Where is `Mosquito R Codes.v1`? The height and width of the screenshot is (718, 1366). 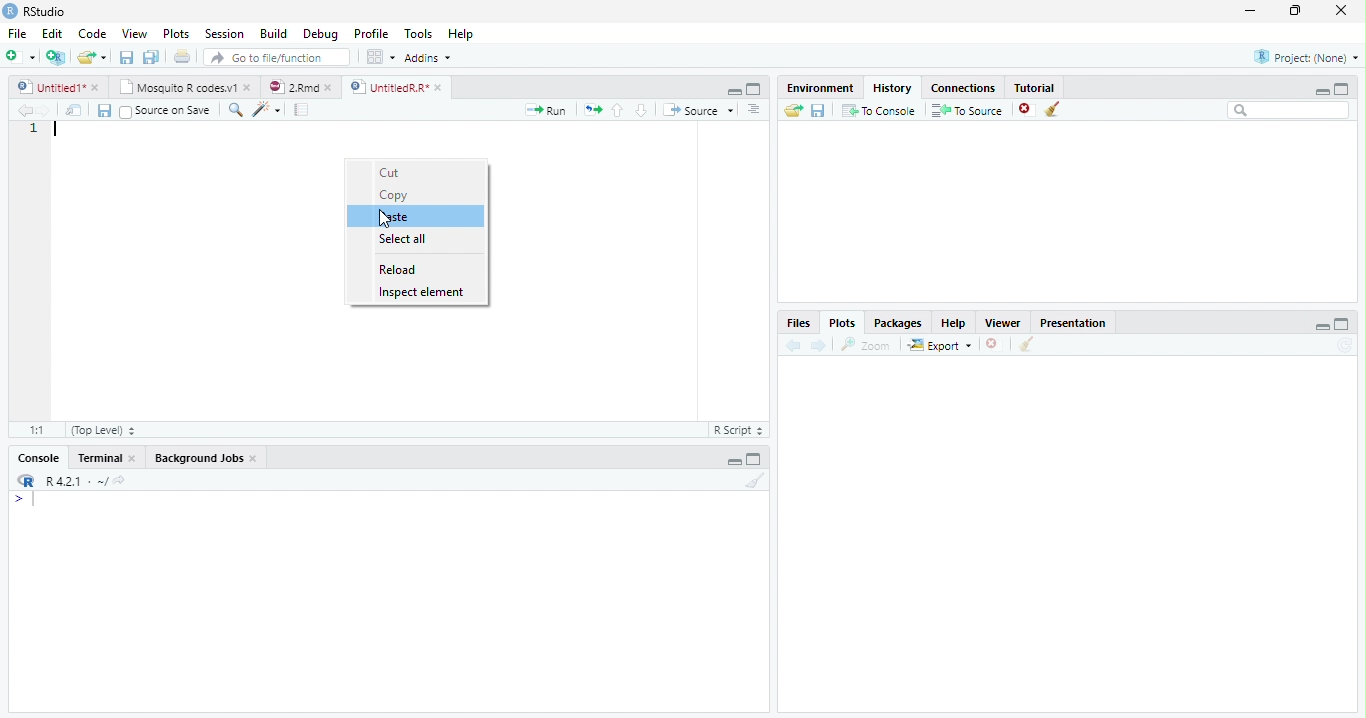
Mosquito R Codes.v1 is located at coordinates (185, 88).